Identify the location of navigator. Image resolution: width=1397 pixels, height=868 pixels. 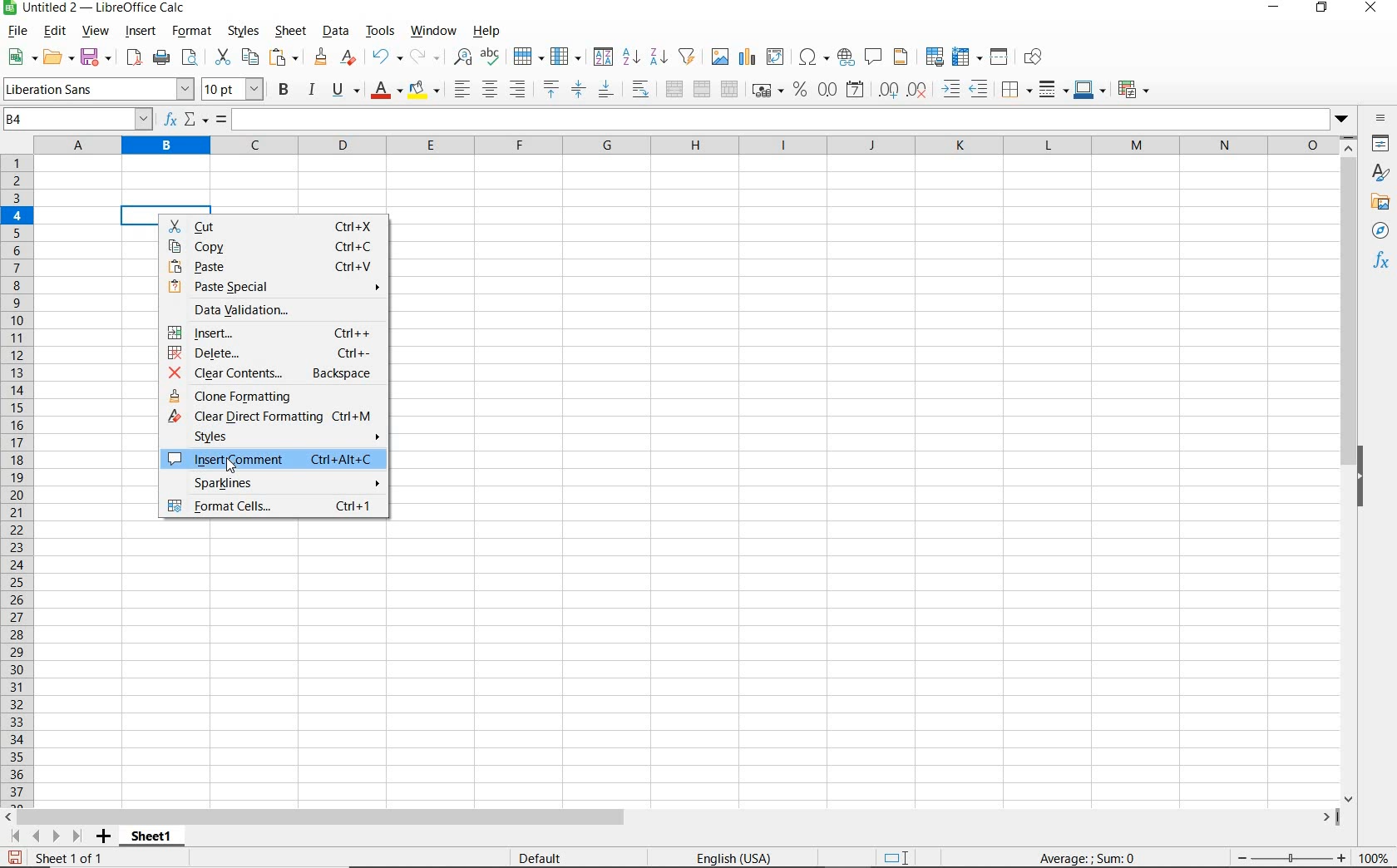
(1382, 230).